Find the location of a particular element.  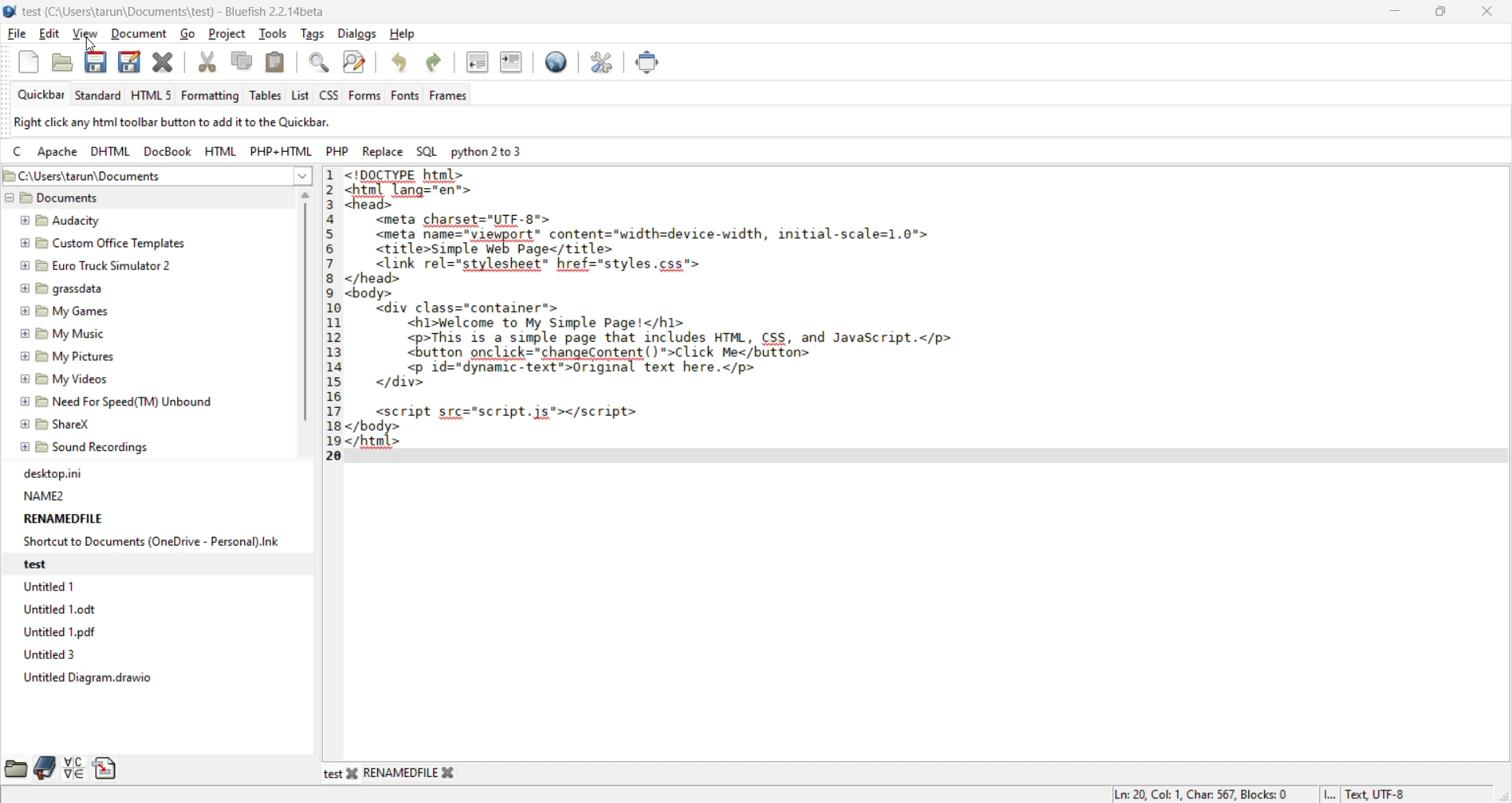

redo is located at coordinates (439, 64).